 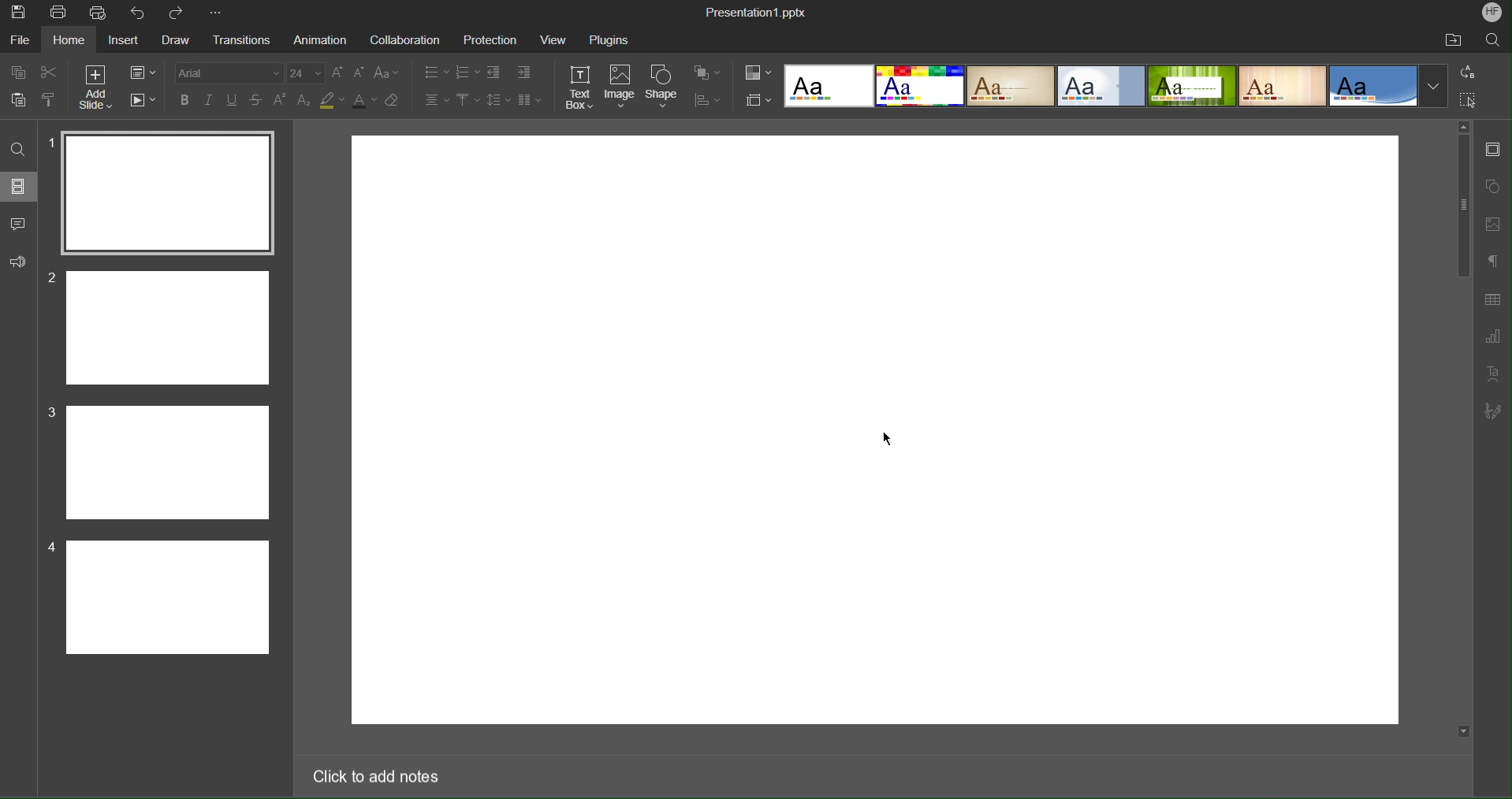 What do you see at coordinates (1462, 732) in the screenshot?
I see `scroll down` at bounding box center [1462, 732].